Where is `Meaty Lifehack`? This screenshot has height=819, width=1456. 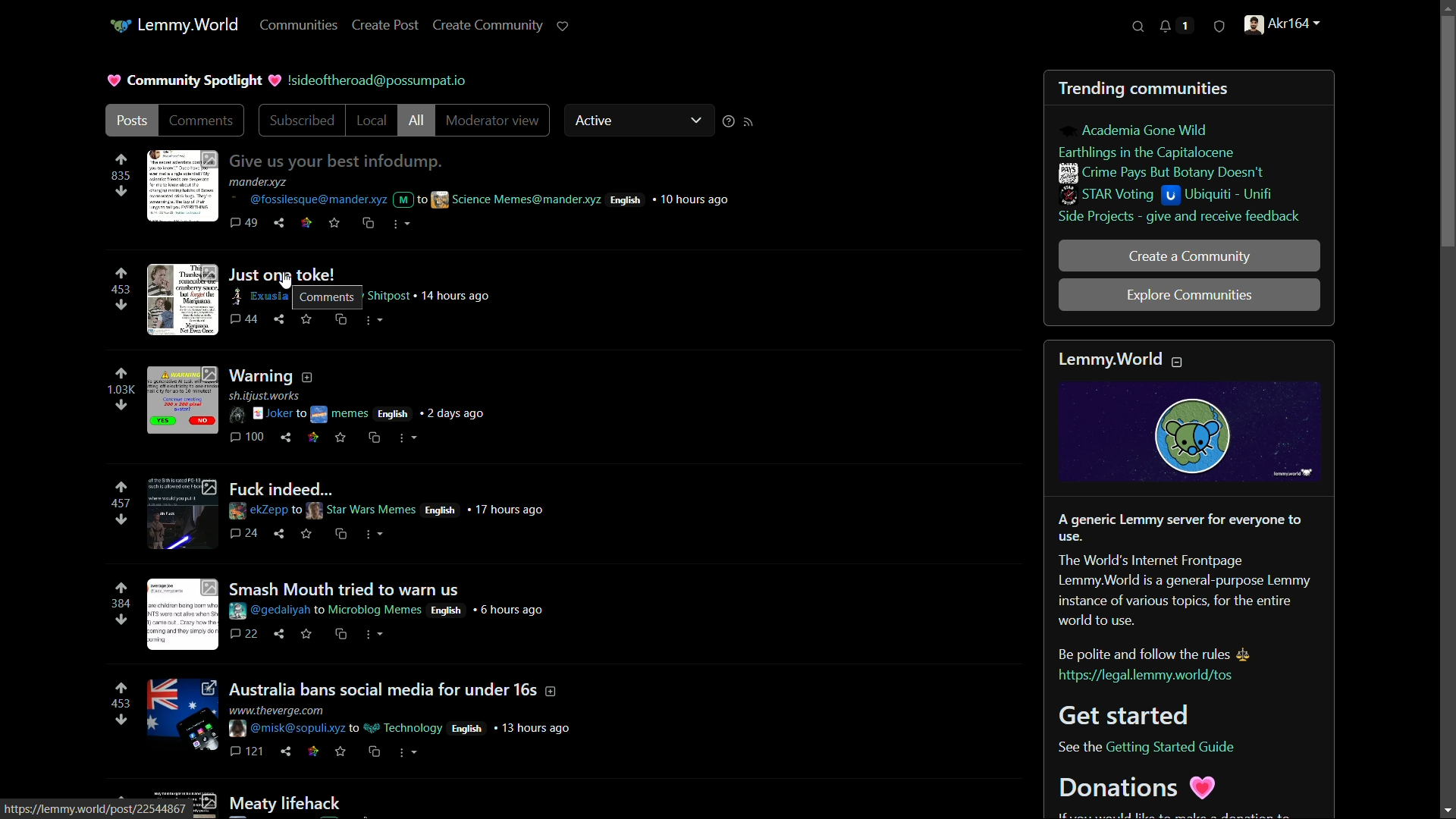 Meaty Lifehack is located at coordinates (287, 802).